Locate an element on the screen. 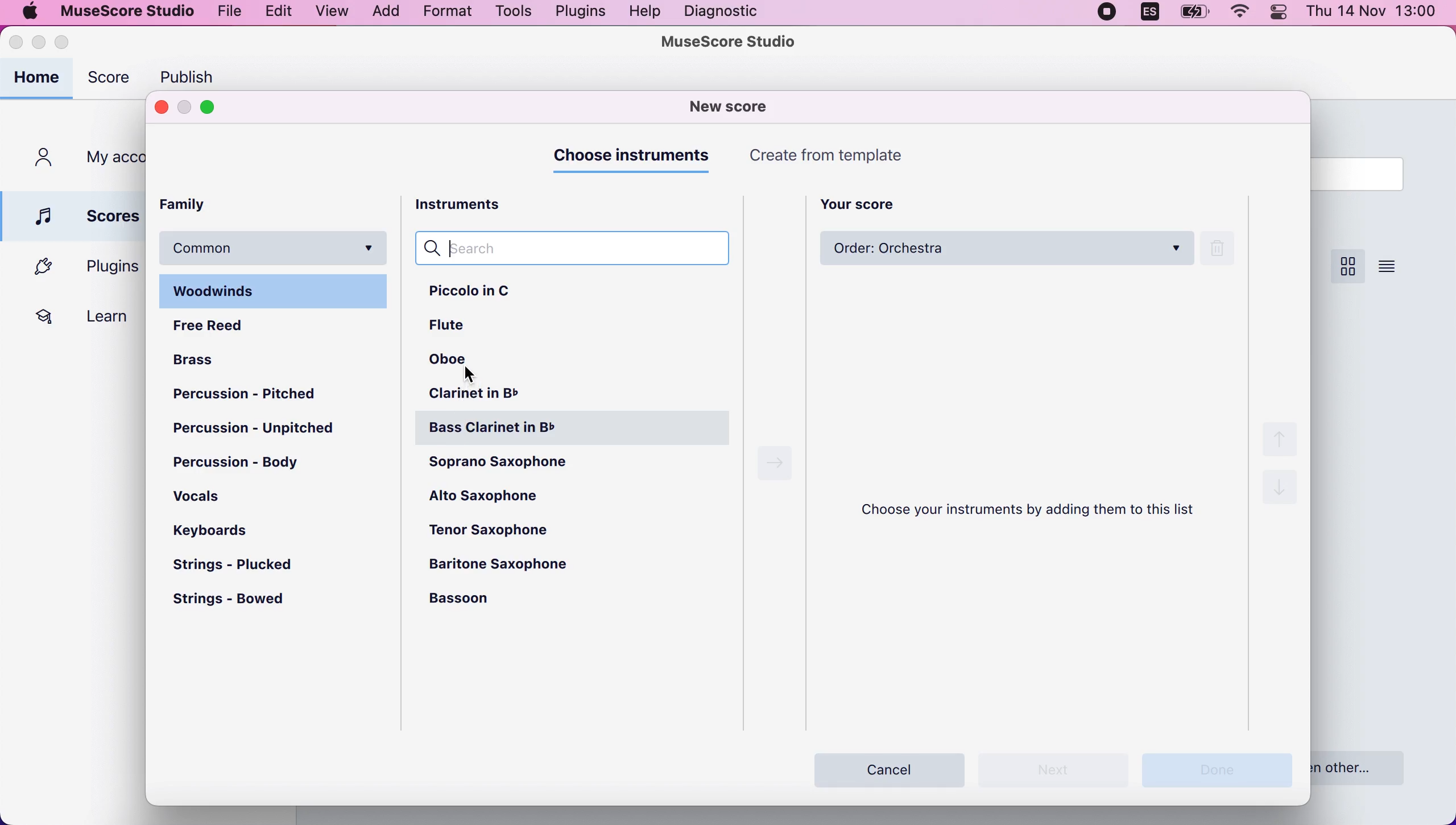  cancel is located at coordinates (891, 767).